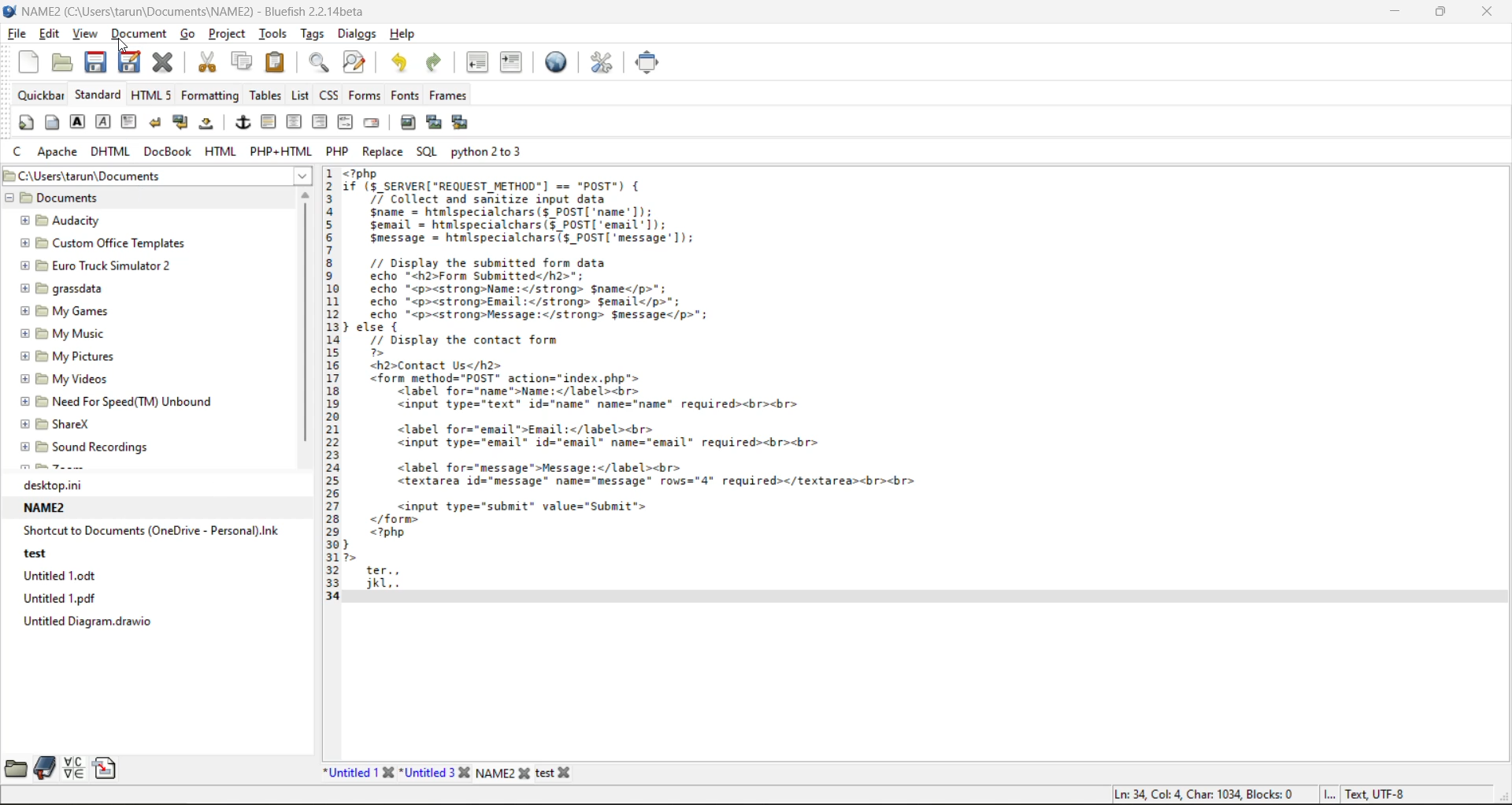 This screenshot has width=1512, height=805. I want to click on indent, so click(510, 61).